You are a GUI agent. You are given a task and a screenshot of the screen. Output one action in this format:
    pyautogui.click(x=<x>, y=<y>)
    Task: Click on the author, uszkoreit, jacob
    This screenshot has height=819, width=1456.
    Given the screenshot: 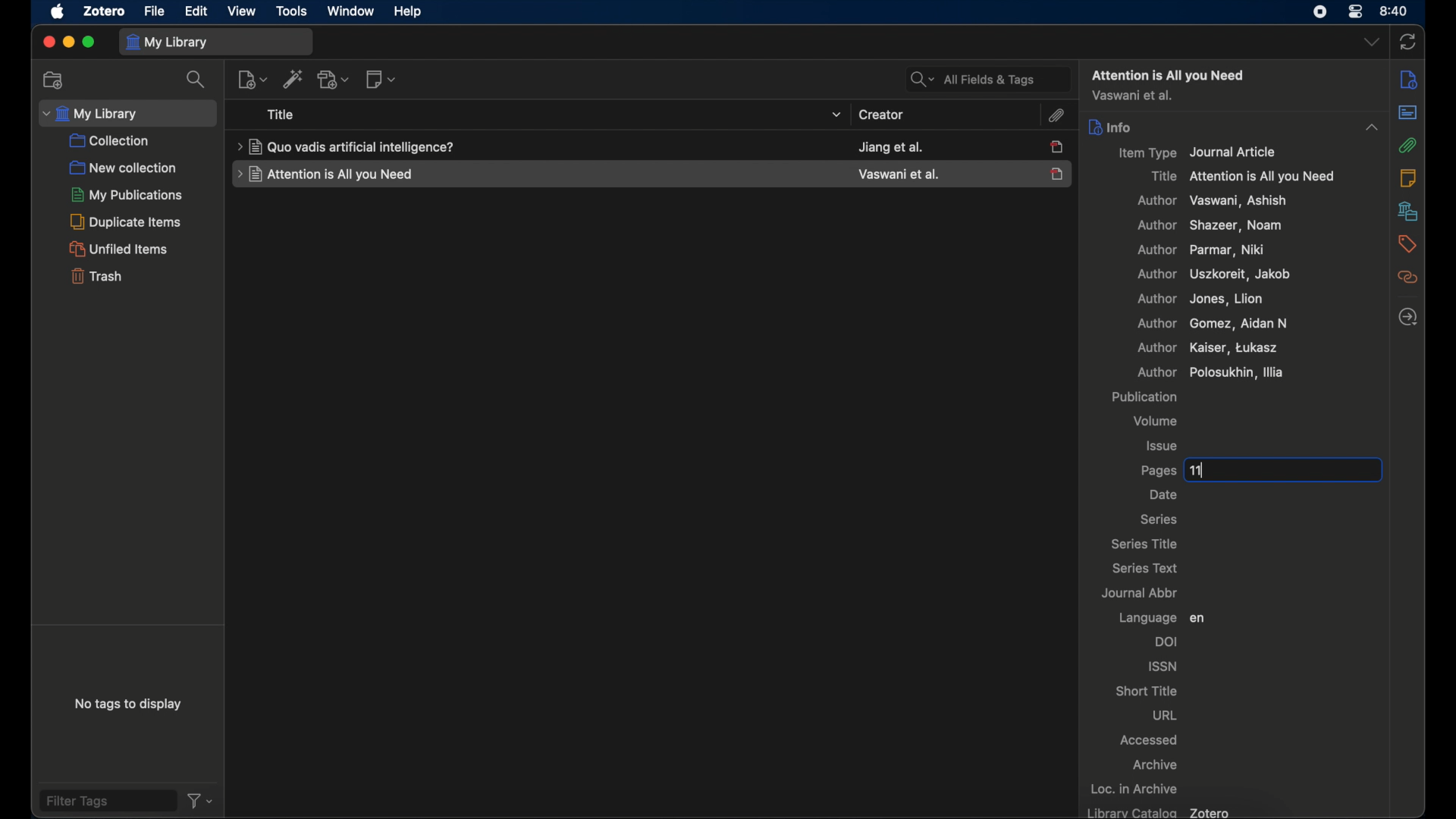 What is the action you would take?
    pyautogui.click(x=1217, y=275)
    